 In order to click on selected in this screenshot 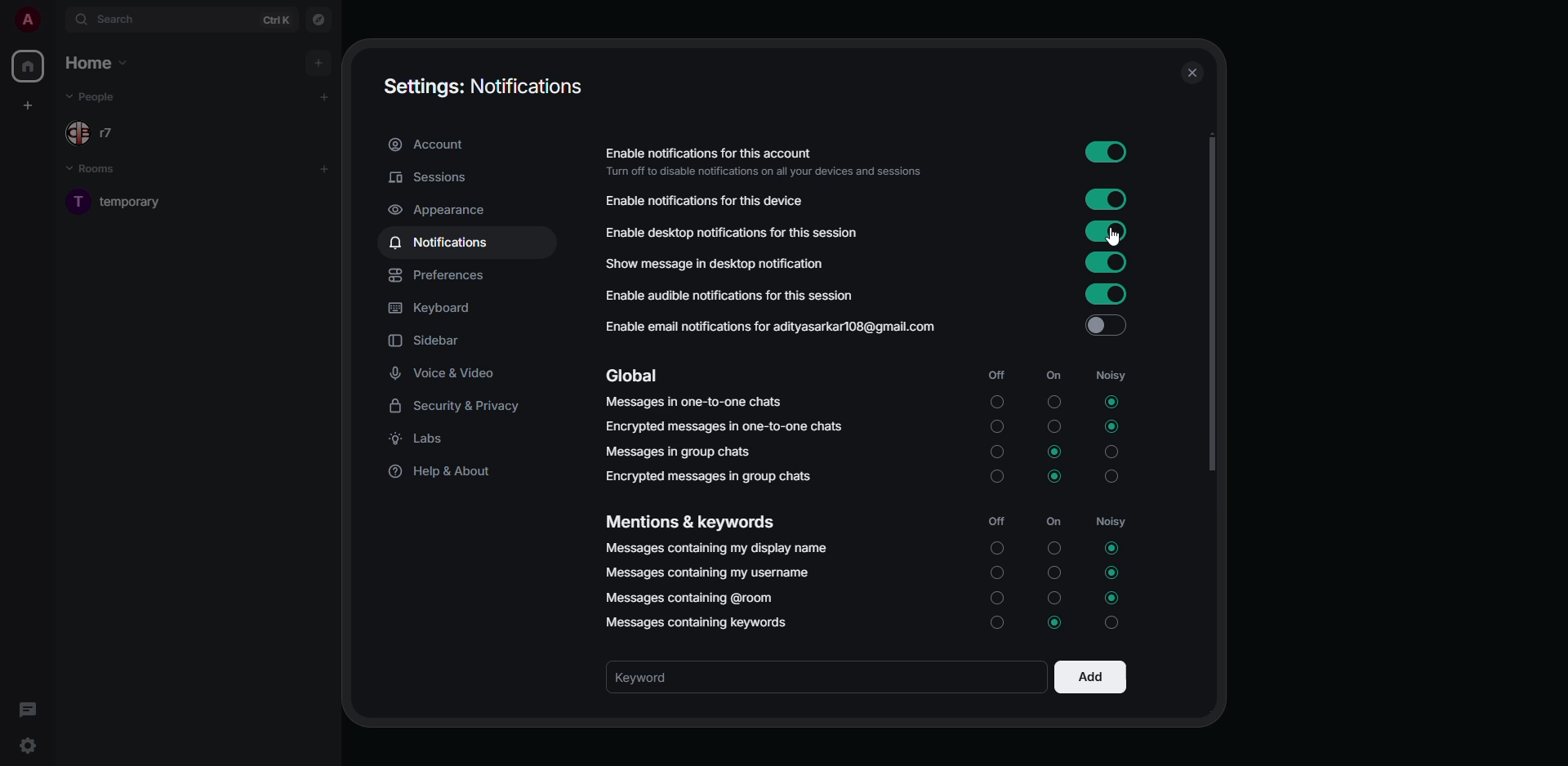, I will do `click(1110, 573)`.